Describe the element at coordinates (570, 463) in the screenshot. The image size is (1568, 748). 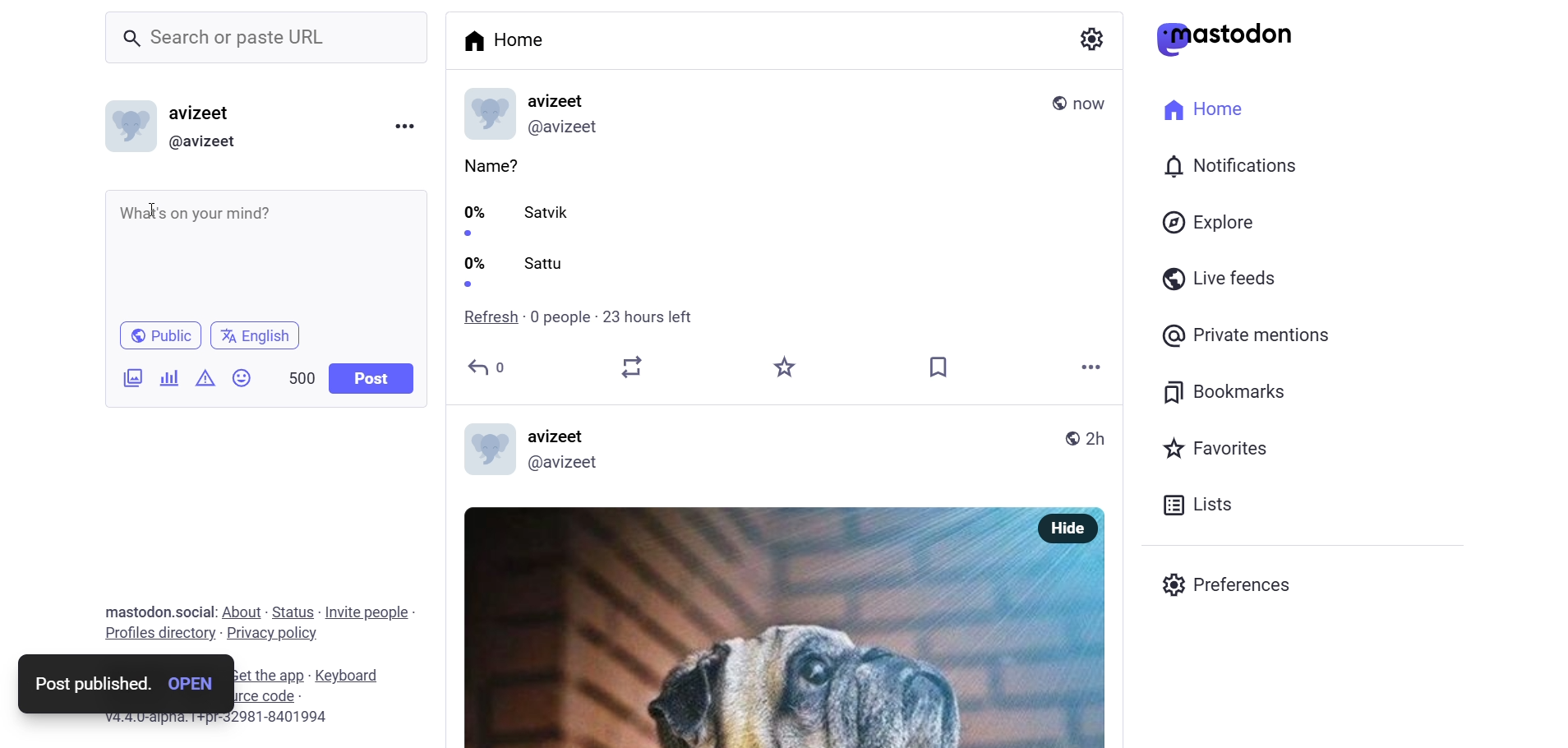
I see `@avizeet` at that location.